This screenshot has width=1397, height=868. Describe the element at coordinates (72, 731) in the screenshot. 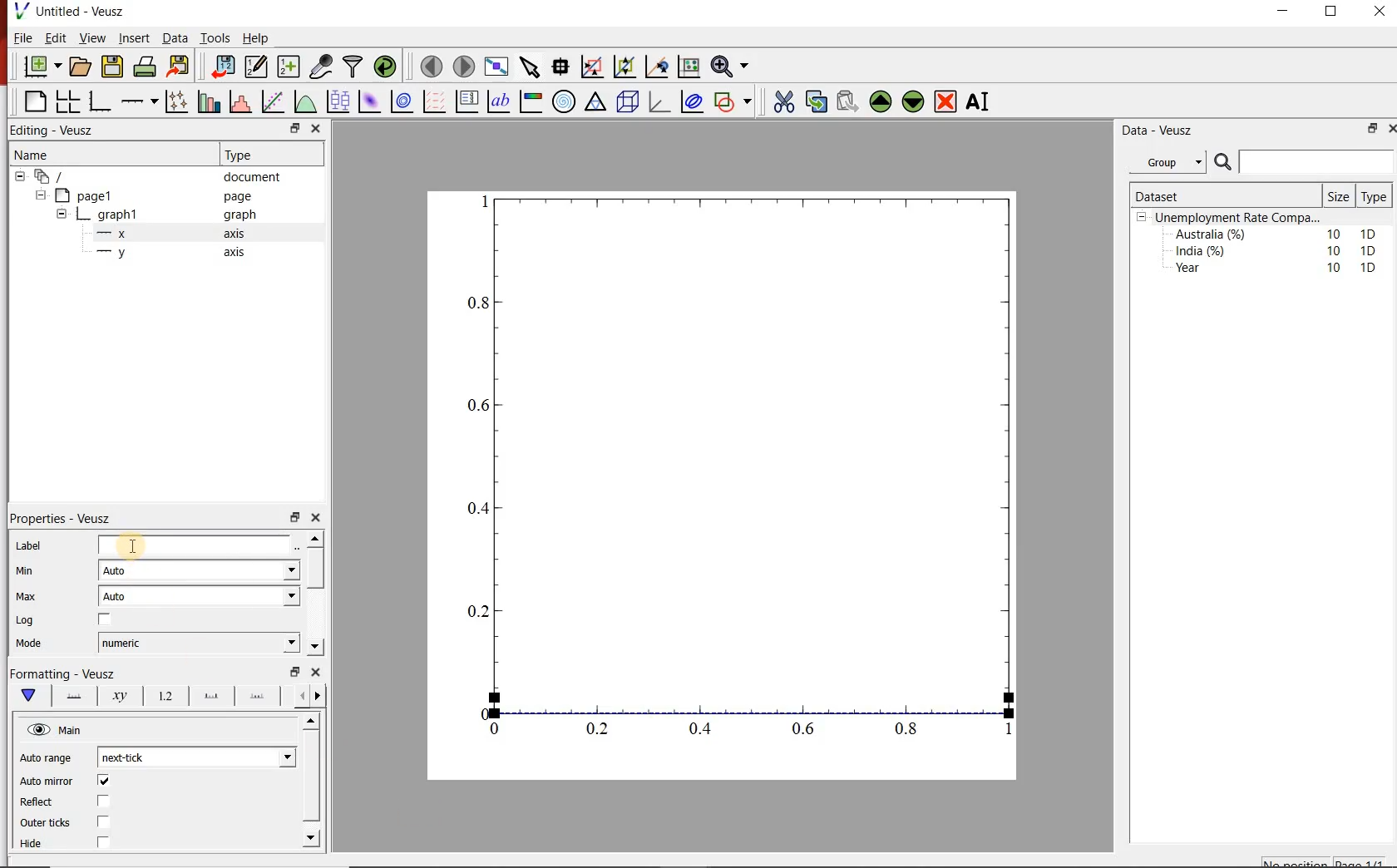

I see `Main` at that location.